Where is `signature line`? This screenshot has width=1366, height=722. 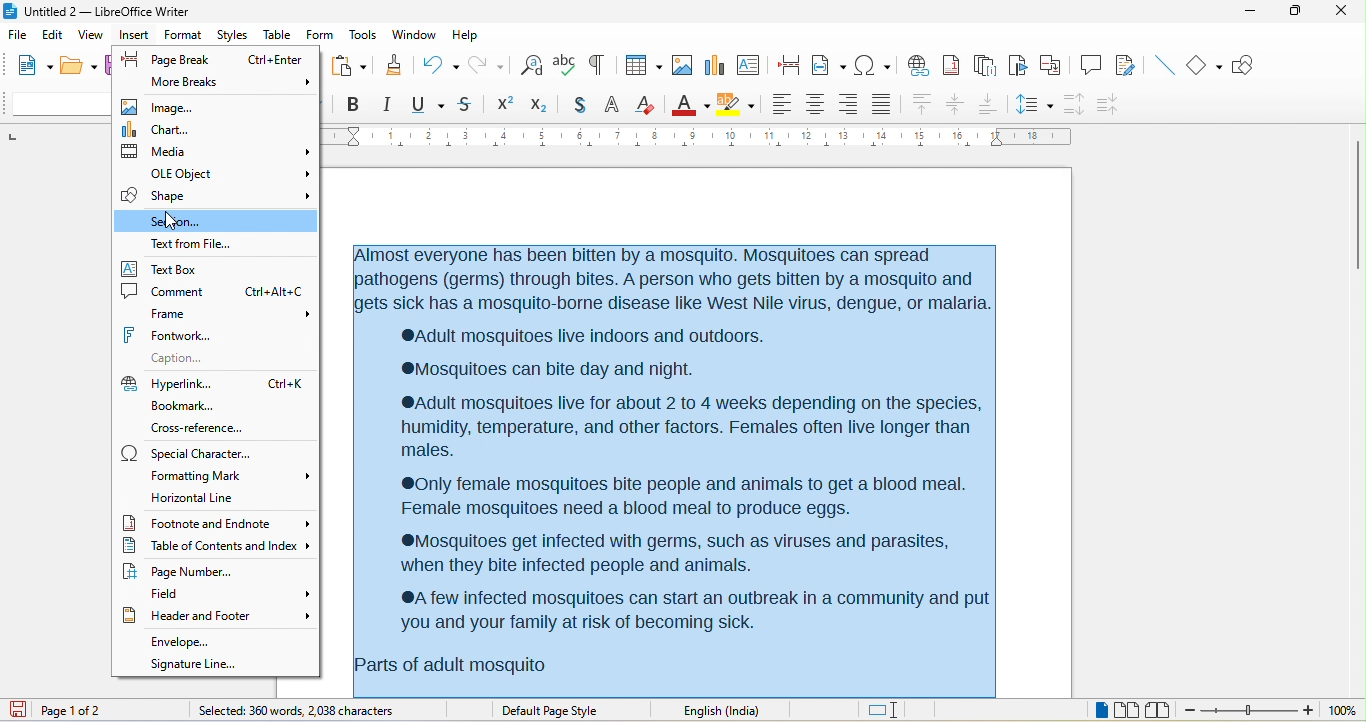 signature line is located at coordinates (217, 665).